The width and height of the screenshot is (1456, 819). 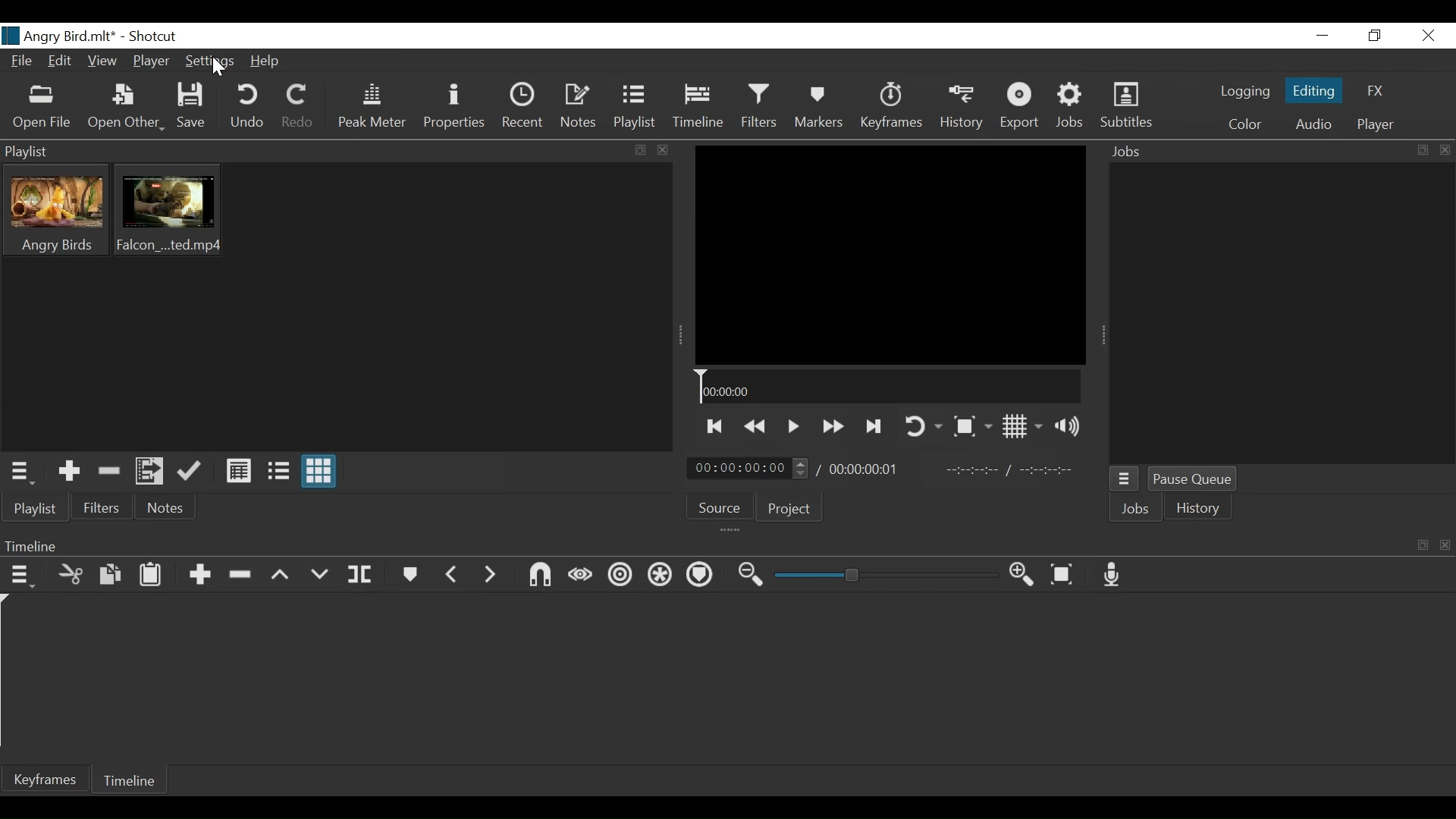 What do you see at coordinates (1018, 574) in the screenshot?
I see `Zoom timeline in` at bounding box center [1018, 574].